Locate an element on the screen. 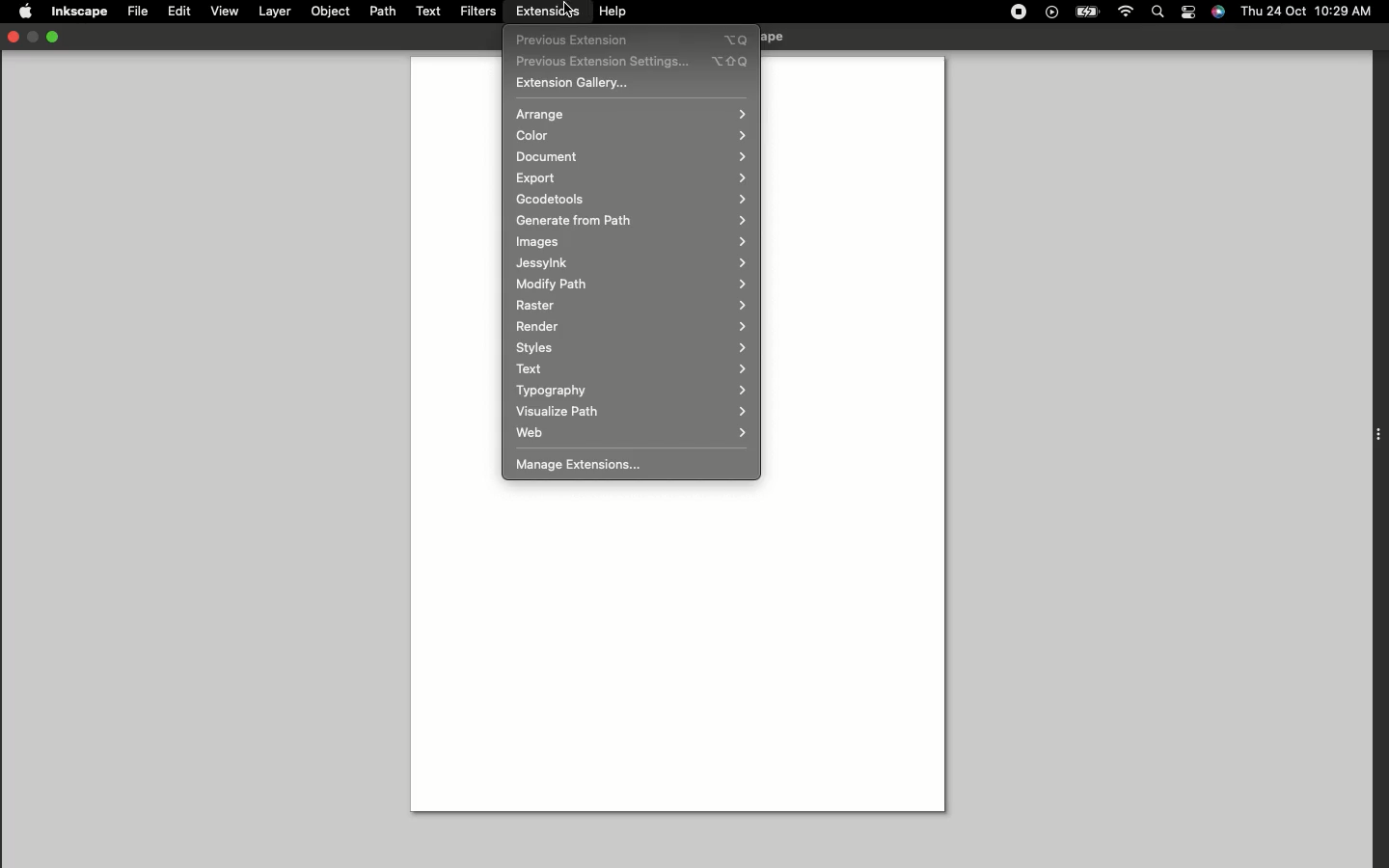  Export is located at coordinates (633, 177).